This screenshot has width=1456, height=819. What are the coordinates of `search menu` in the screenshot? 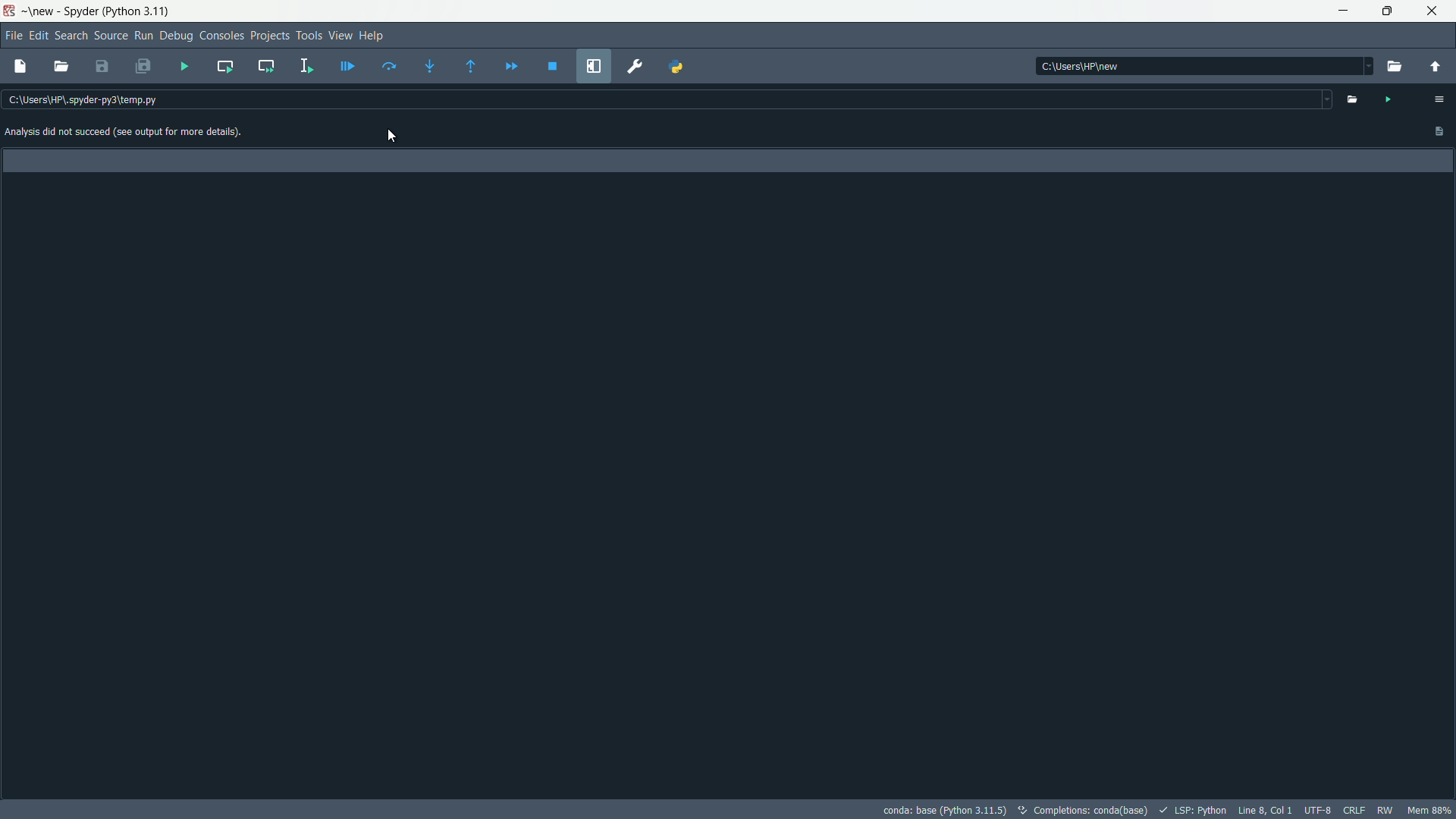 It's located at (69, 36).